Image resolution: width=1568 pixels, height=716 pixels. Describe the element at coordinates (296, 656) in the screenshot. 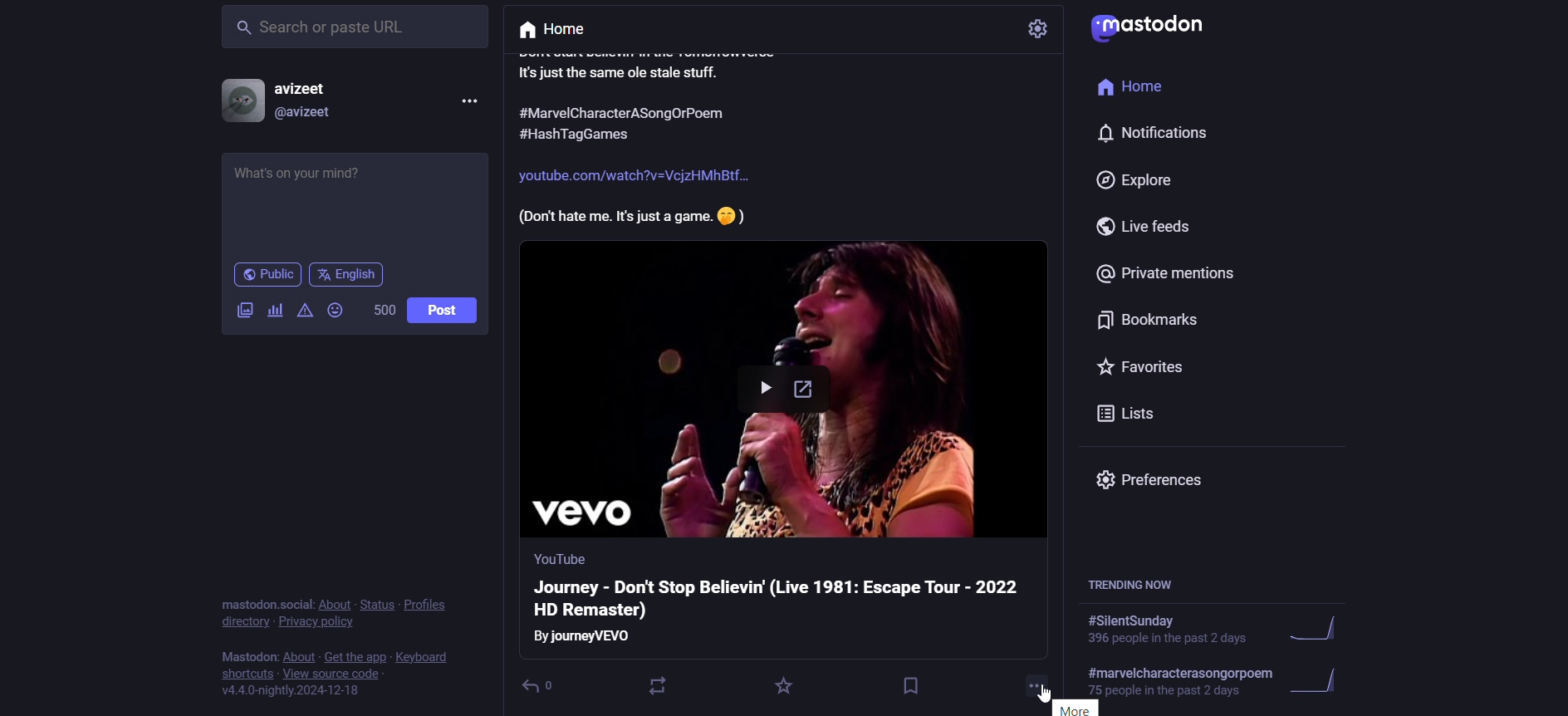

I see `about` at that location.